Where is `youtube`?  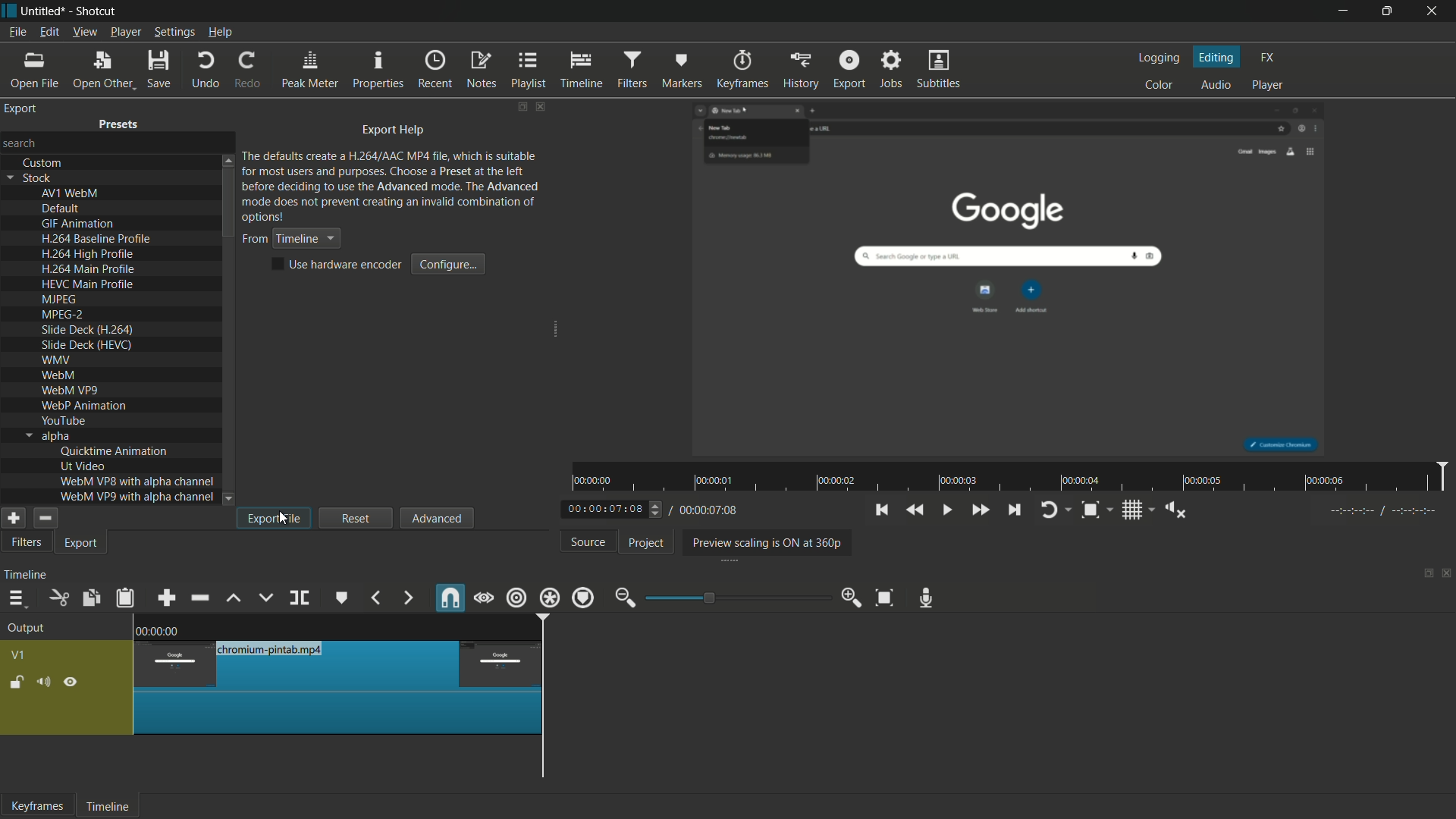
youtube is located at coordinates (64, 422).